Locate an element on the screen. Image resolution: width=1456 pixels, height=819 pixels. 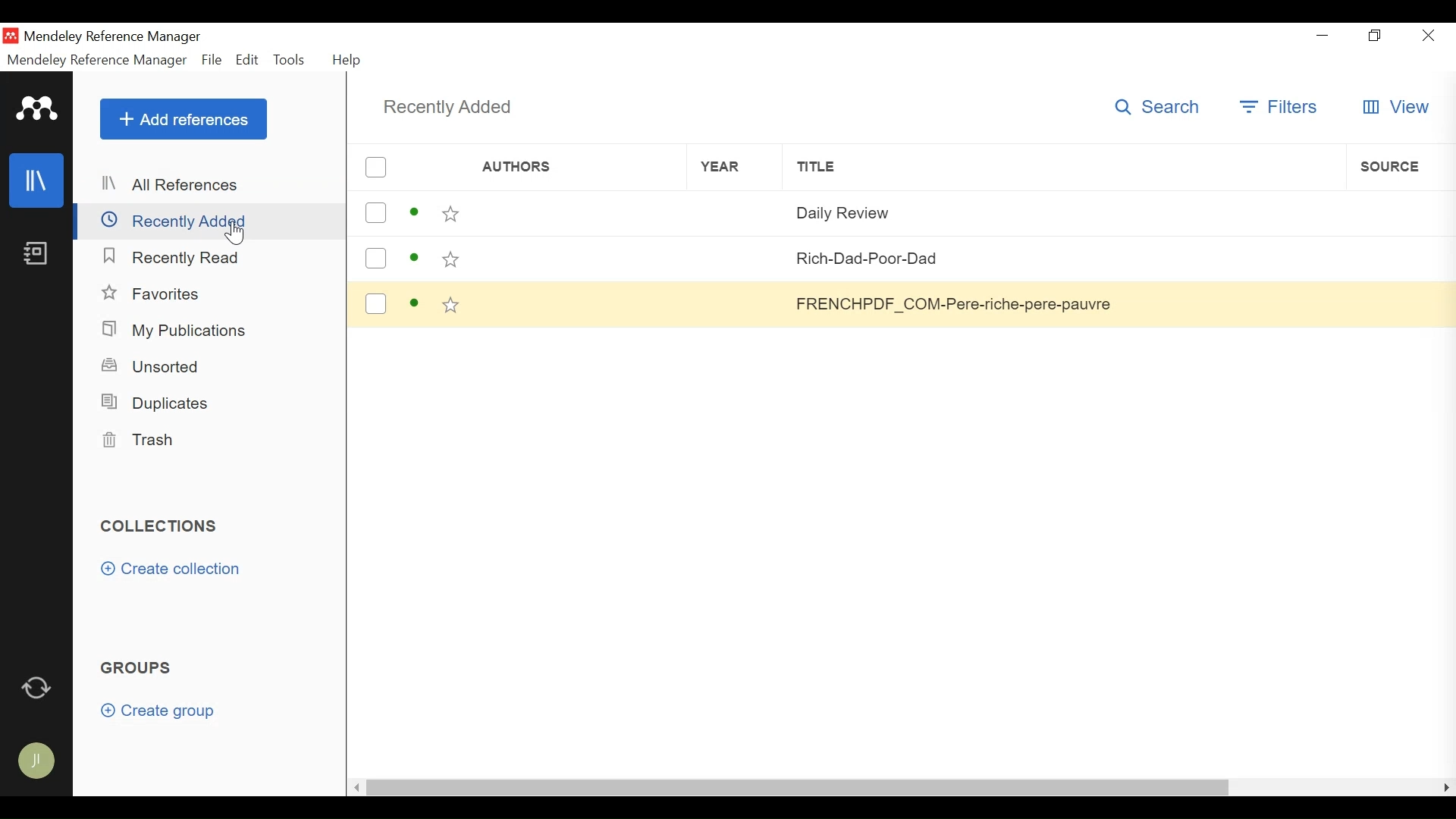
Recently Added is located at coordinates (208, 221).